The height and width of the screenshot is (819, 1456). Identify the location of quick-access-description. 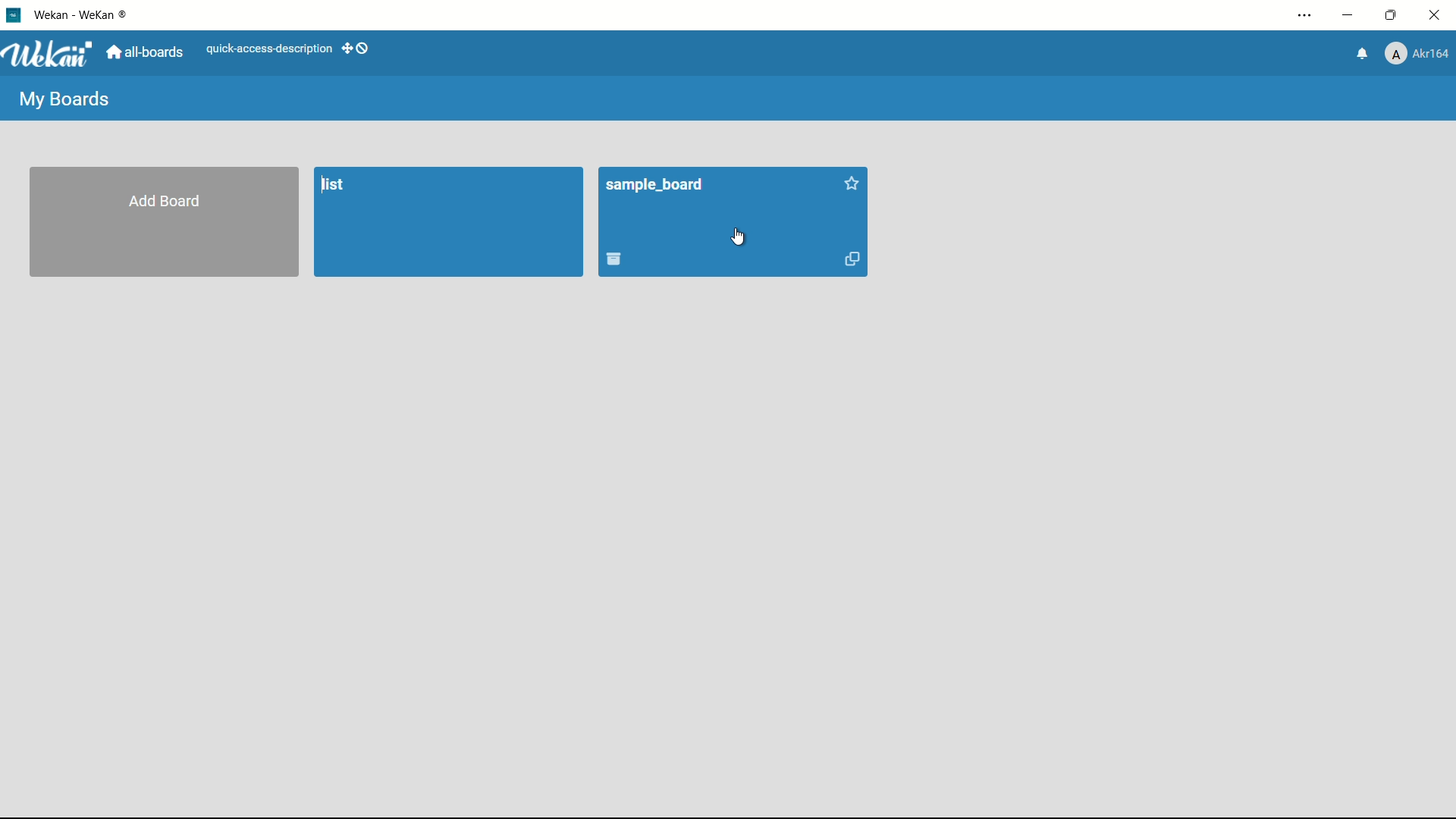
(269, 49).